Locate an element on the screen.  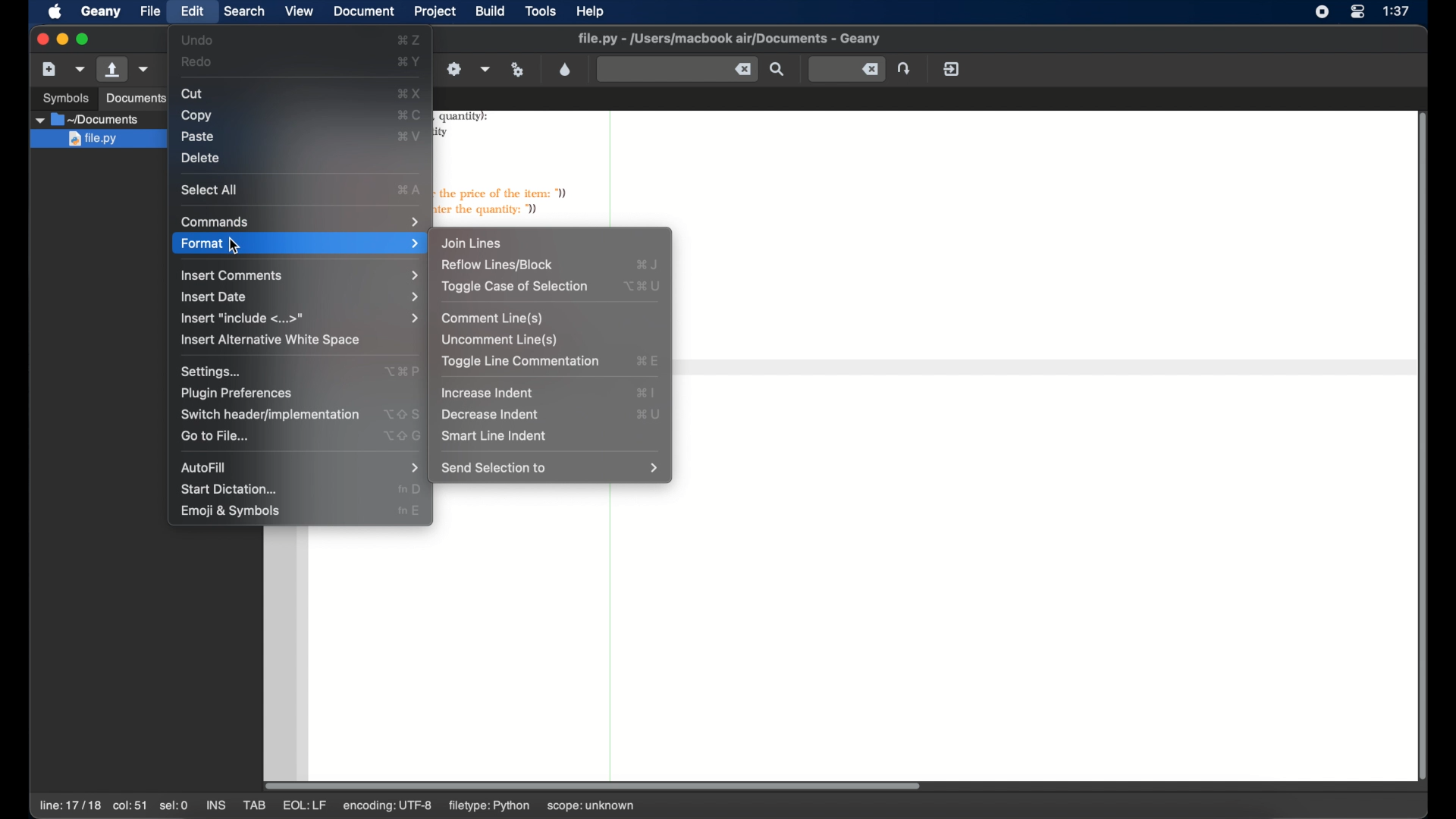
line 17/17 is located at coordinates (69, 805).